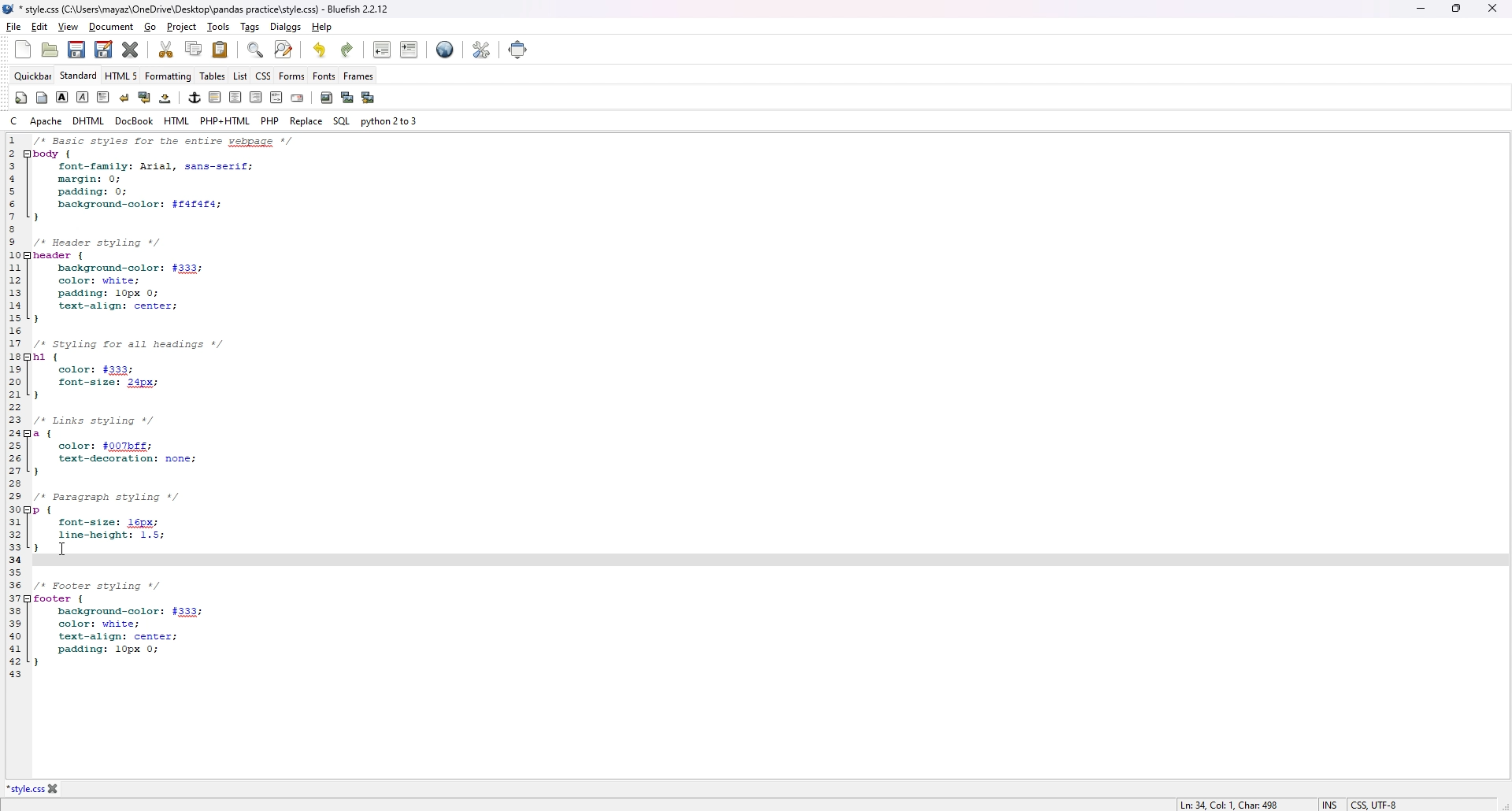 The width and height of the screenshot is (1512, 811). I want to click on html, so click(177, 120).